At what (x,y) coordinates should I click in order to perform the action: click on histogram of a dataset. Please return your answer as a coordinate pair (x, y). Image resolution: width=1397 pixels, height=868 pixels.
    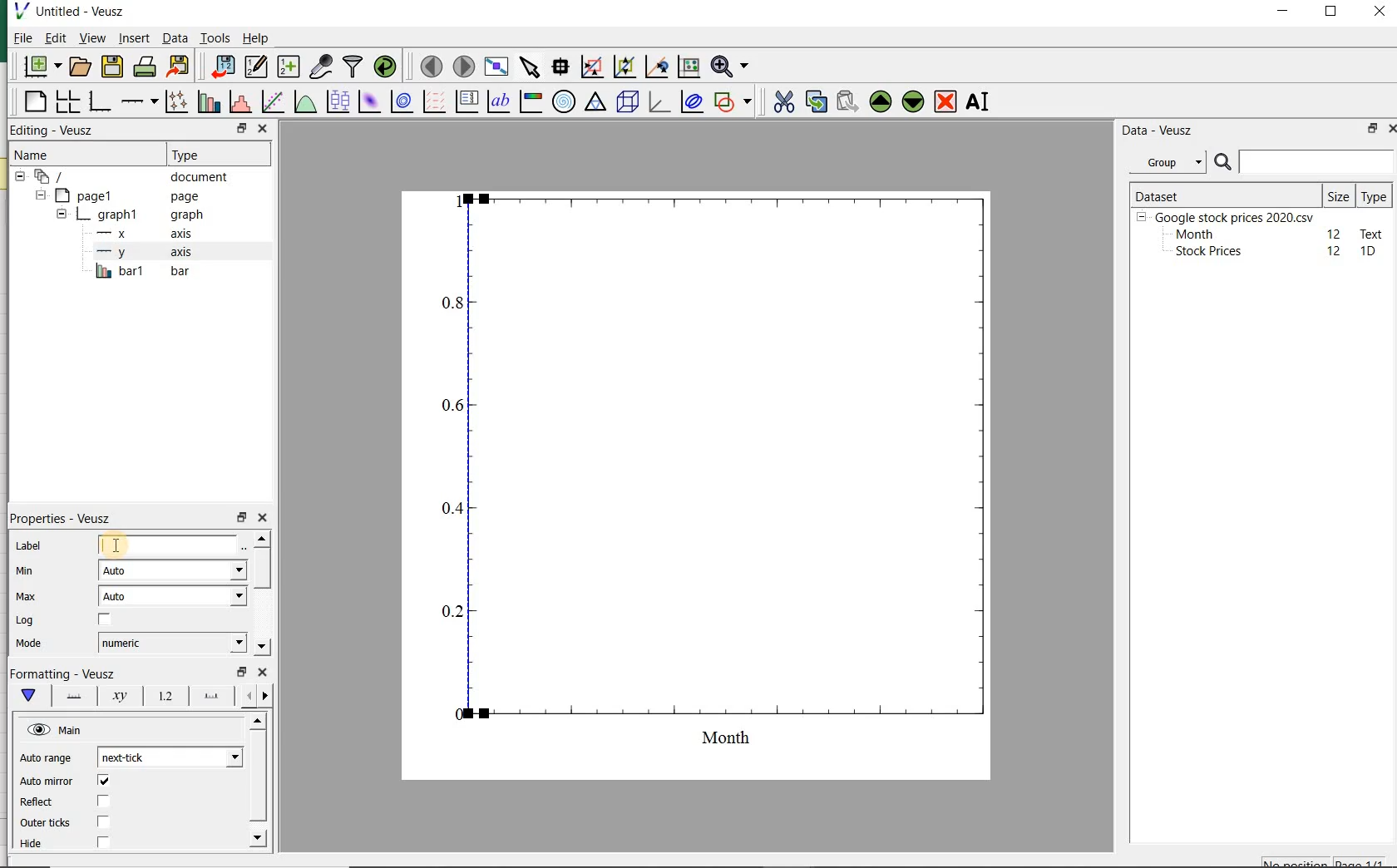
    Looking at the image, I should click on (239, 104).